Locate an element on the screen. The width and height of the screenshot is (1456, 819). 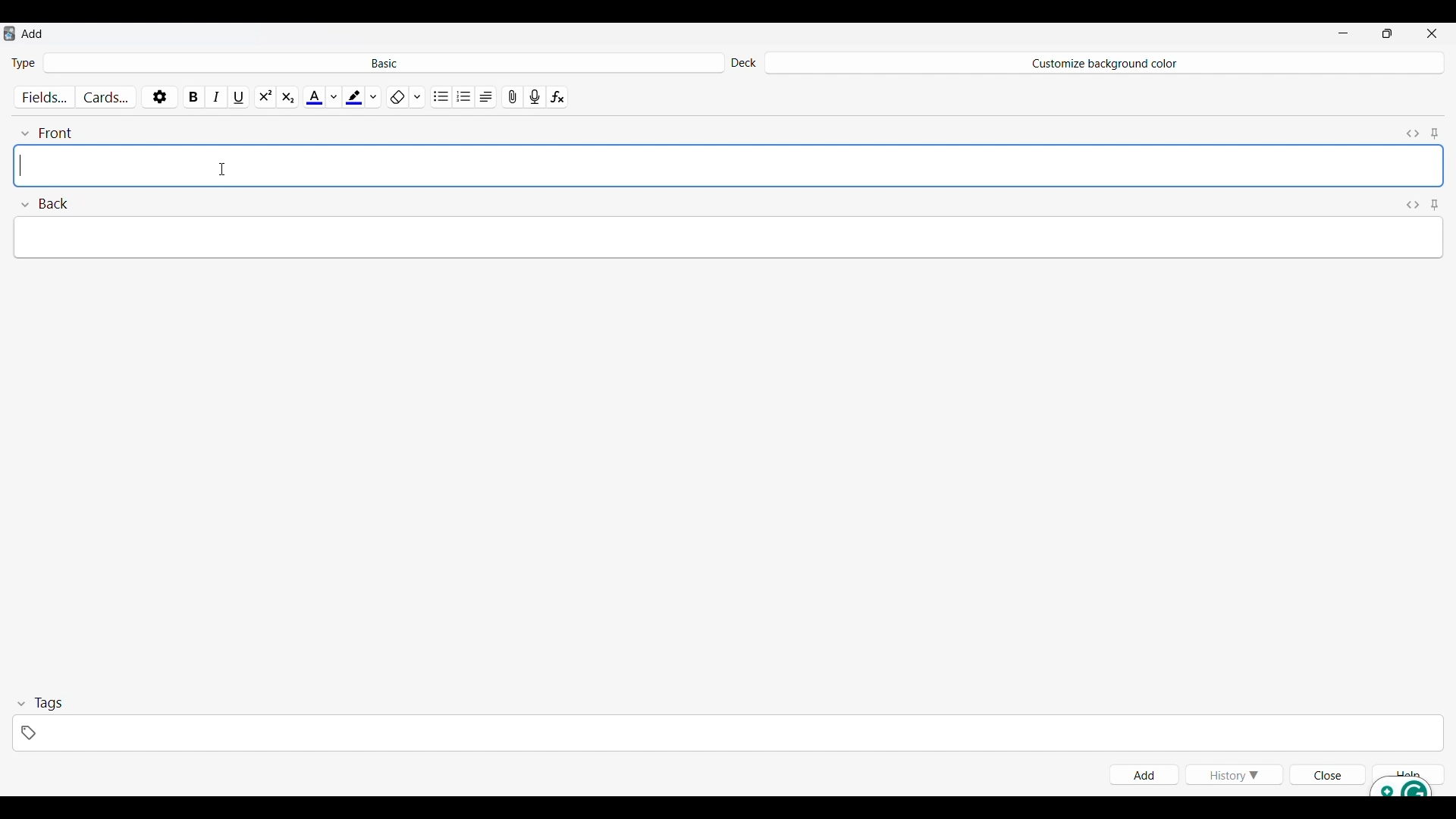
Cursor is located at coordinates (221, 169).